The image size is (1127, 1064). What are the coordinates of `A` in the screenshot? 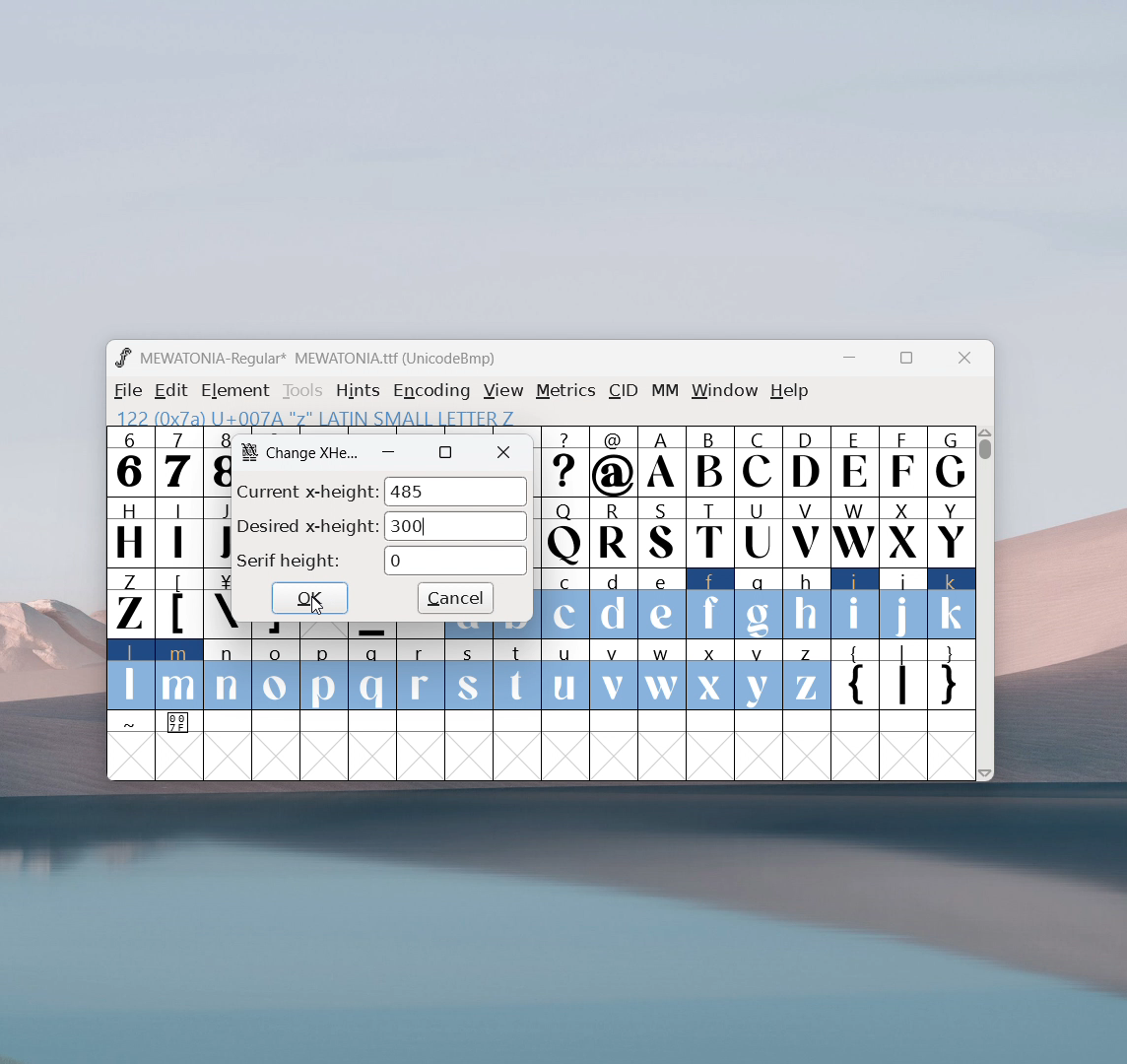 It's located at (663, 462).